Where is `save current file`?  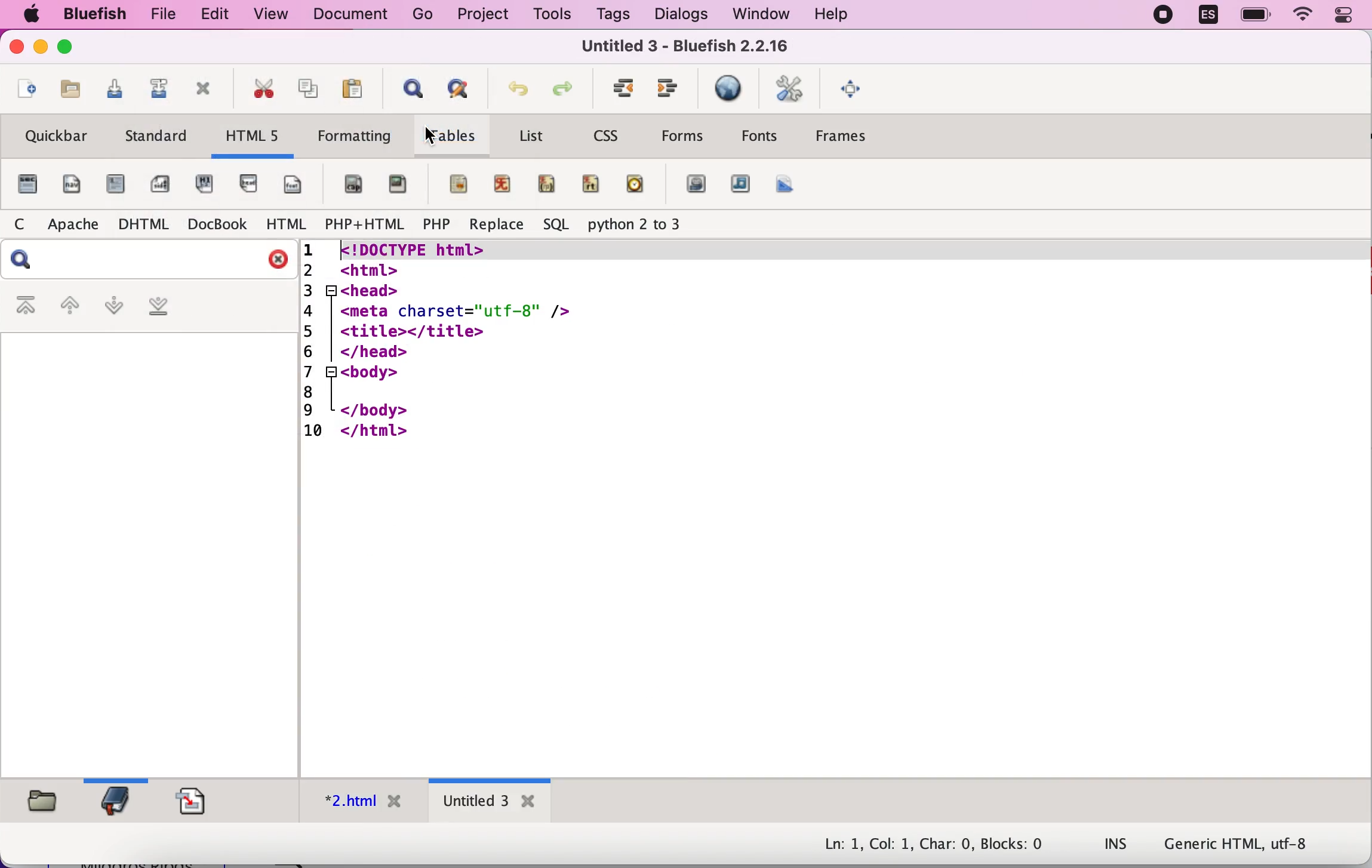
save current file is located at coordinates (108, 91).